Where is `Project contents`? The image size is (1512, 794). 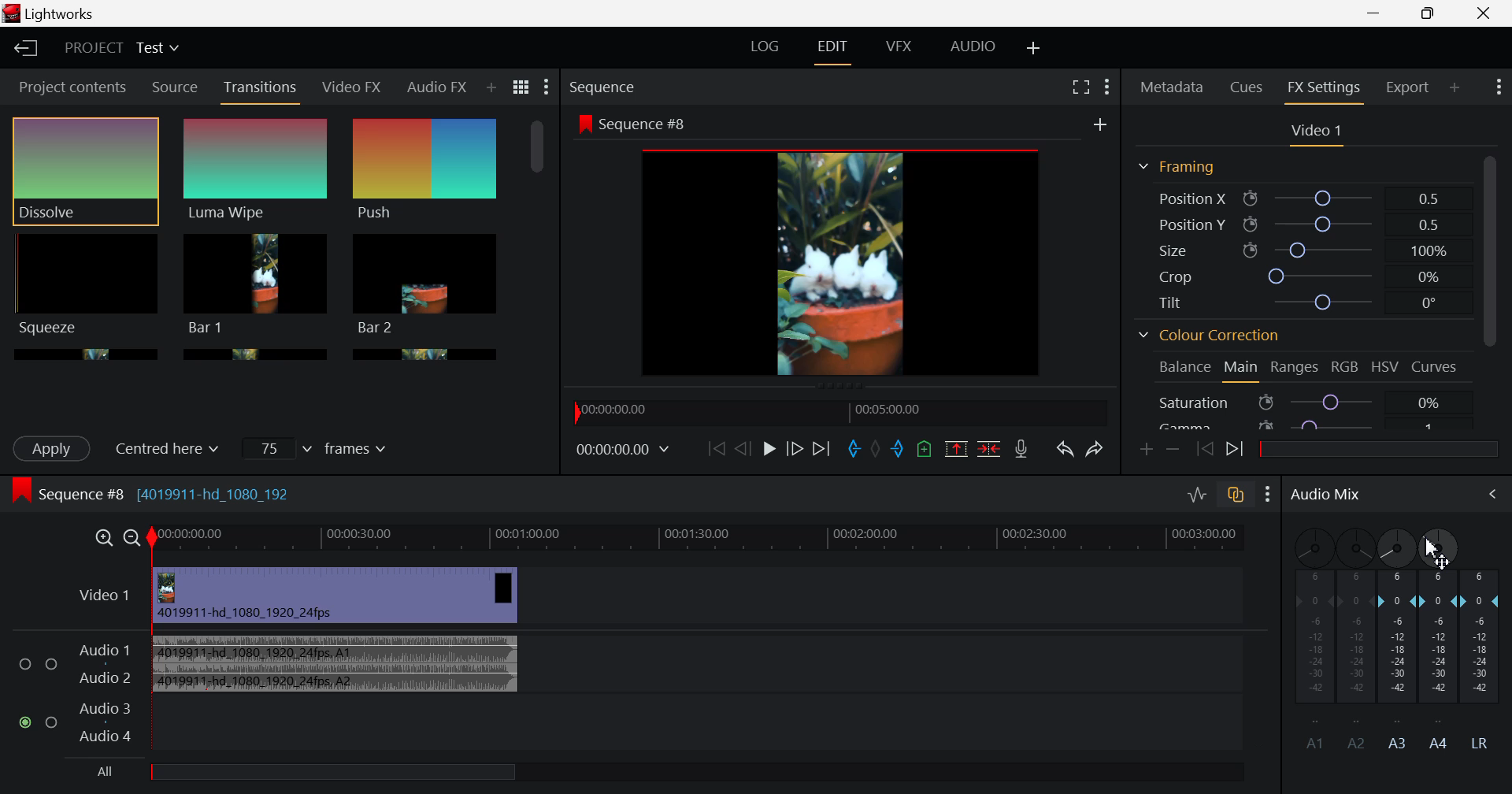 Project contents is located at coordinates (66, 86).